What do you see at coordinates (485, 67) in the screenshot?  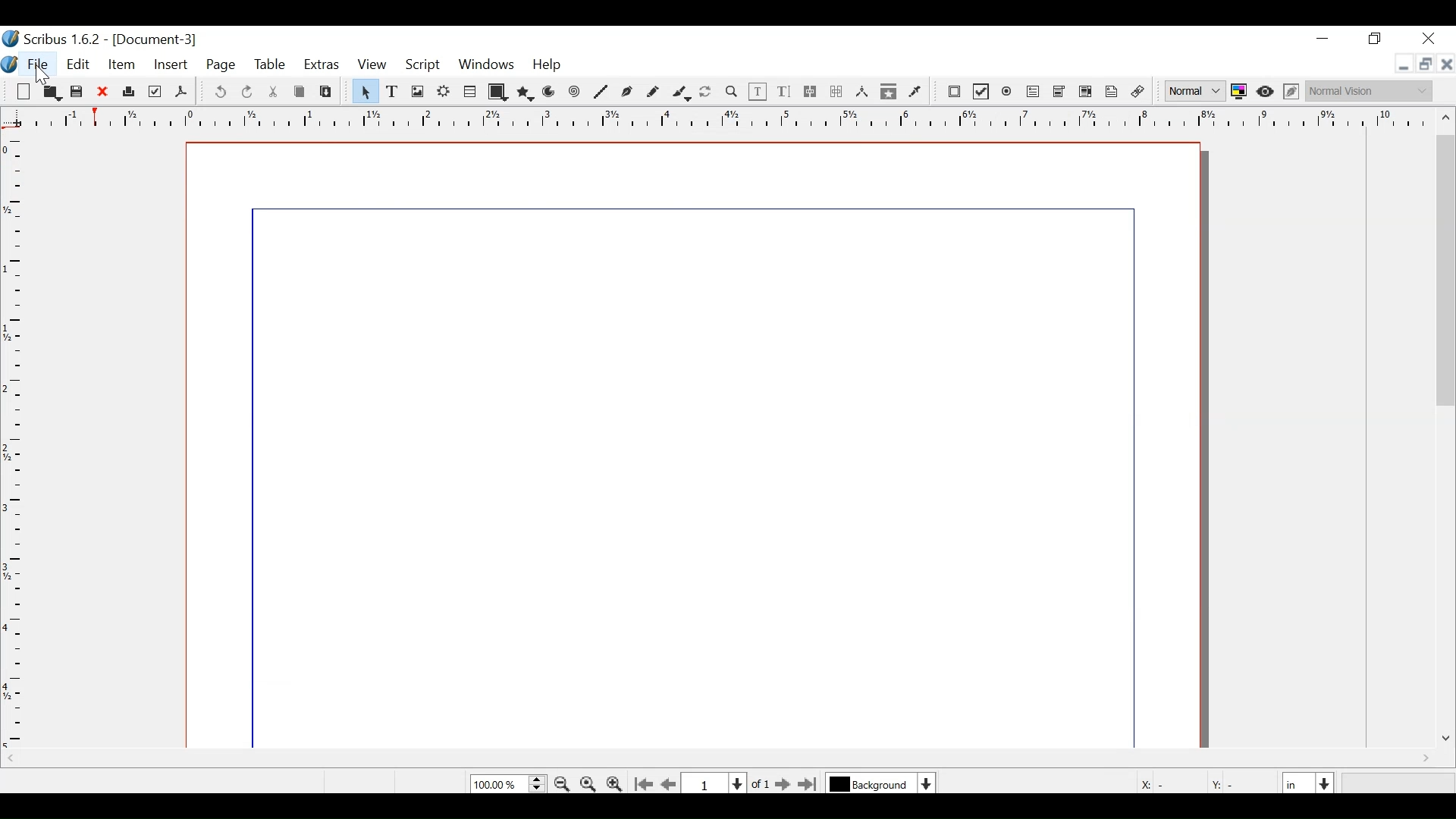 I see `Windows` at bounding box center [485, 67].